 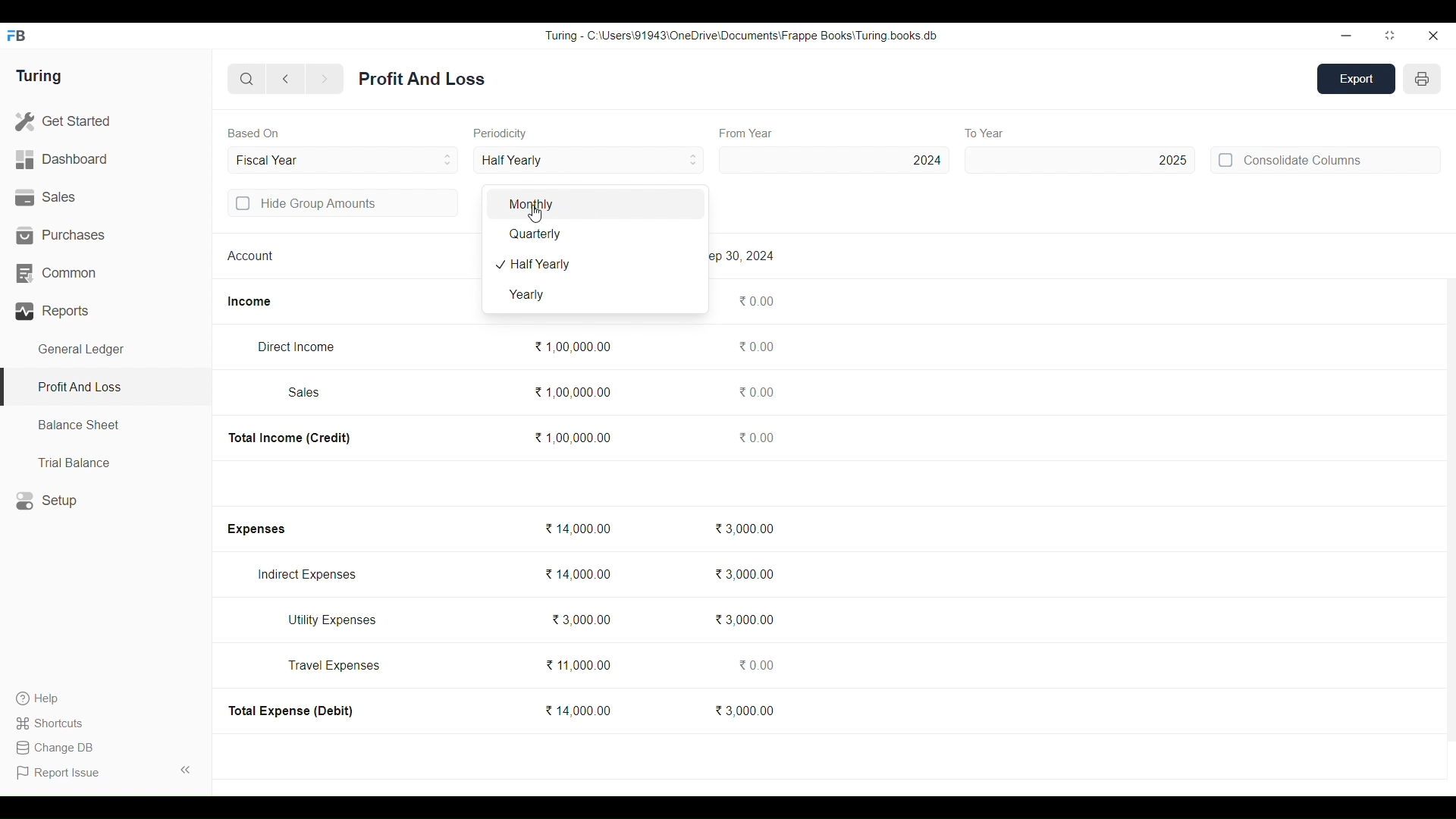 What do you see at coordinates (287, 79) in the screenshot?
I see `Previous` at bounding box center [287, 79].